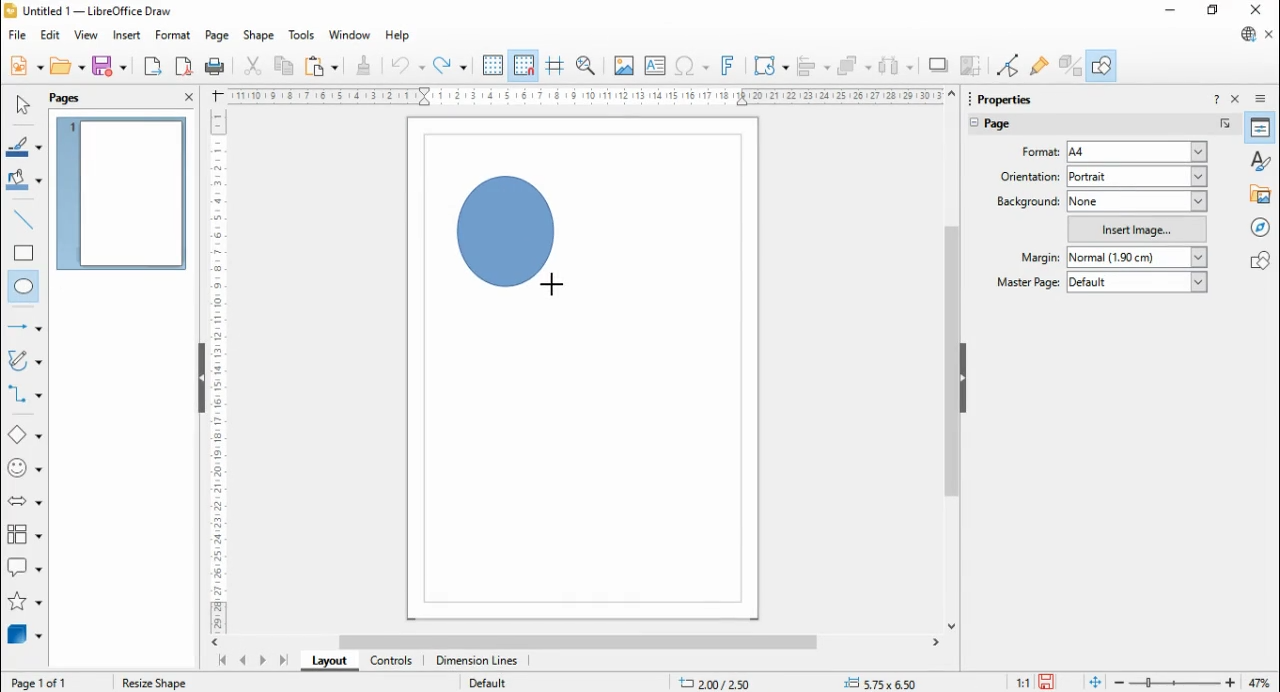  I want to click on shapes, so click(1260, 260).